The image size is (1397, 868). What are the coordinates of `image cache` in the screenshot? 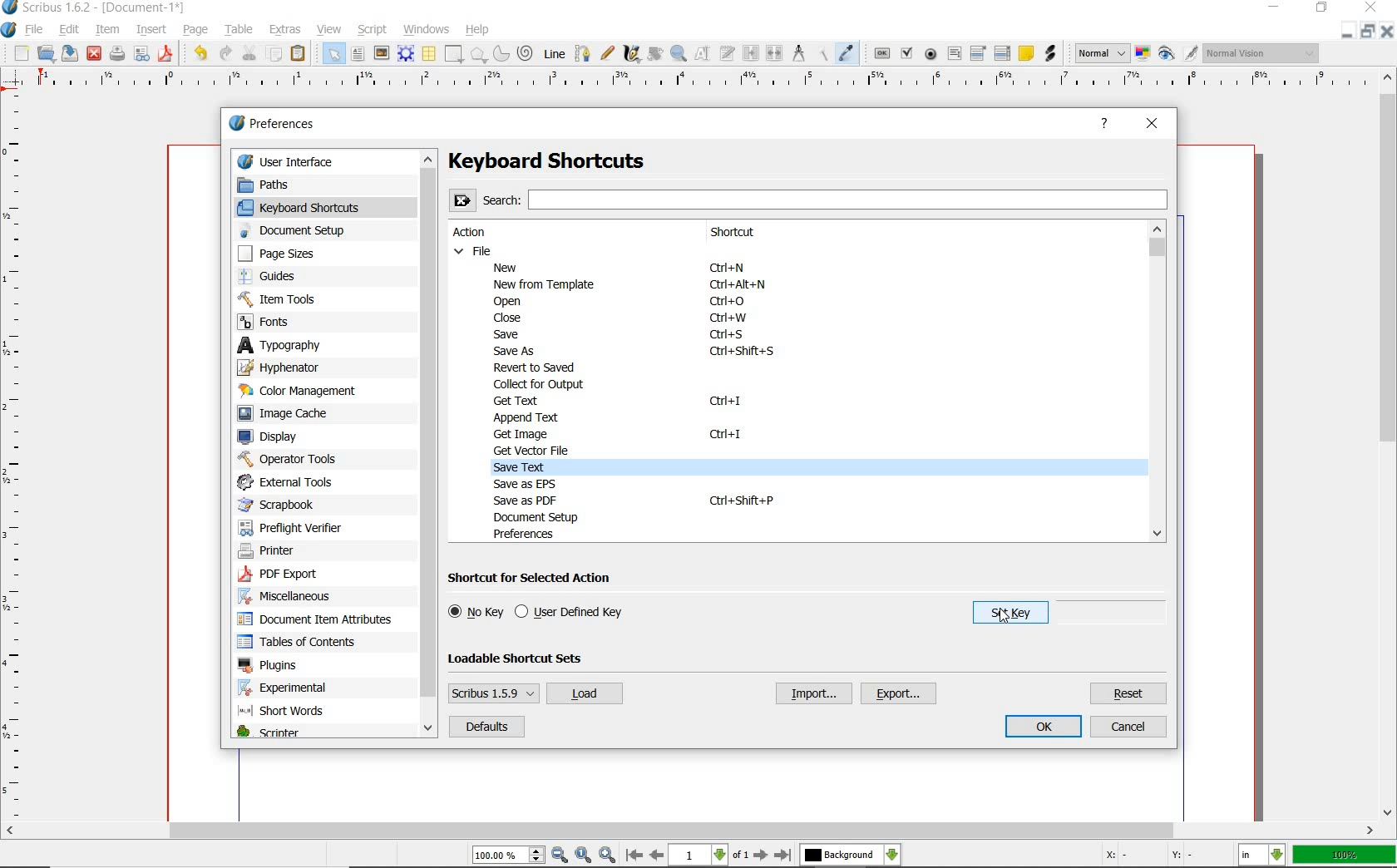 It's located at (293, 414).